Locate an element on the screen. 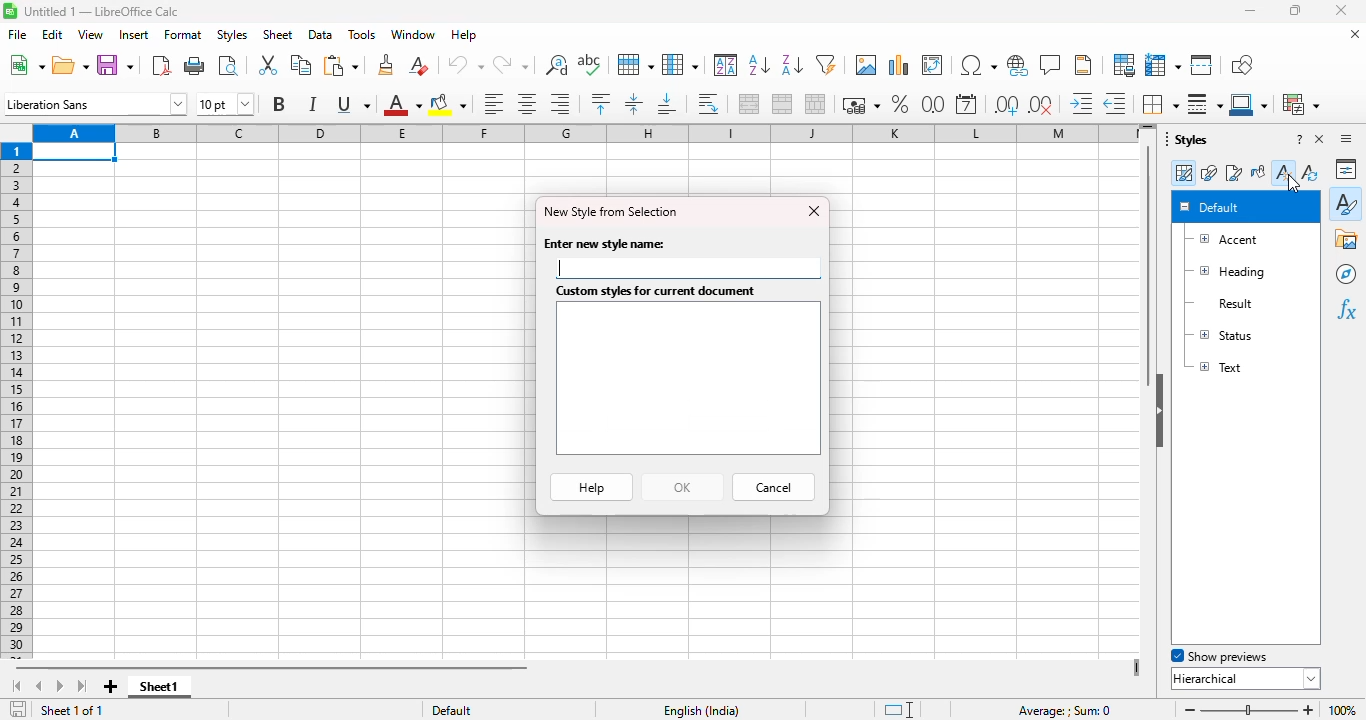  result is located at coordinates (1219, 304).